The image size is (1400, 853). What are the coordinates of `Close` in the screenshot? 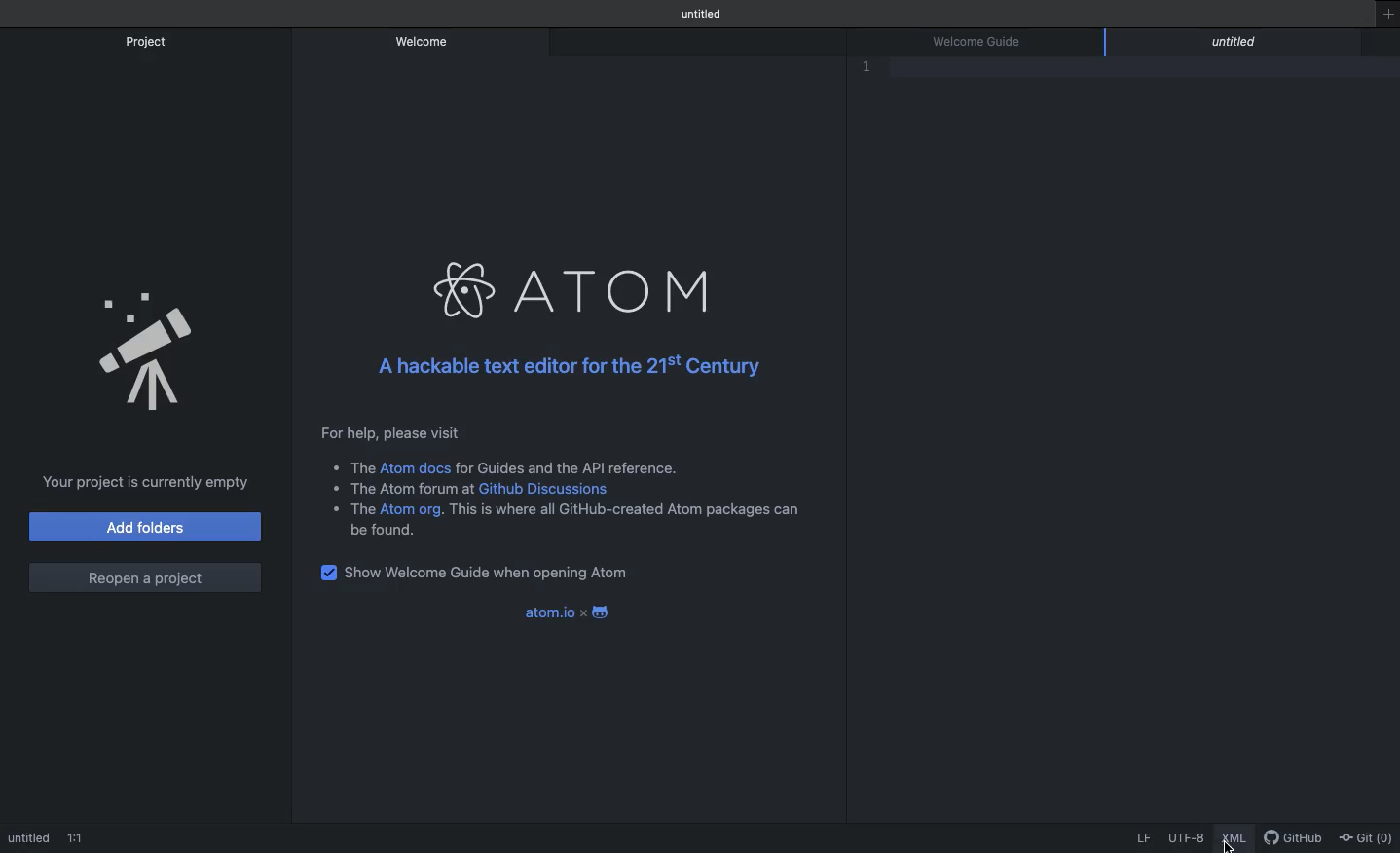 It's located at (1348, 42).